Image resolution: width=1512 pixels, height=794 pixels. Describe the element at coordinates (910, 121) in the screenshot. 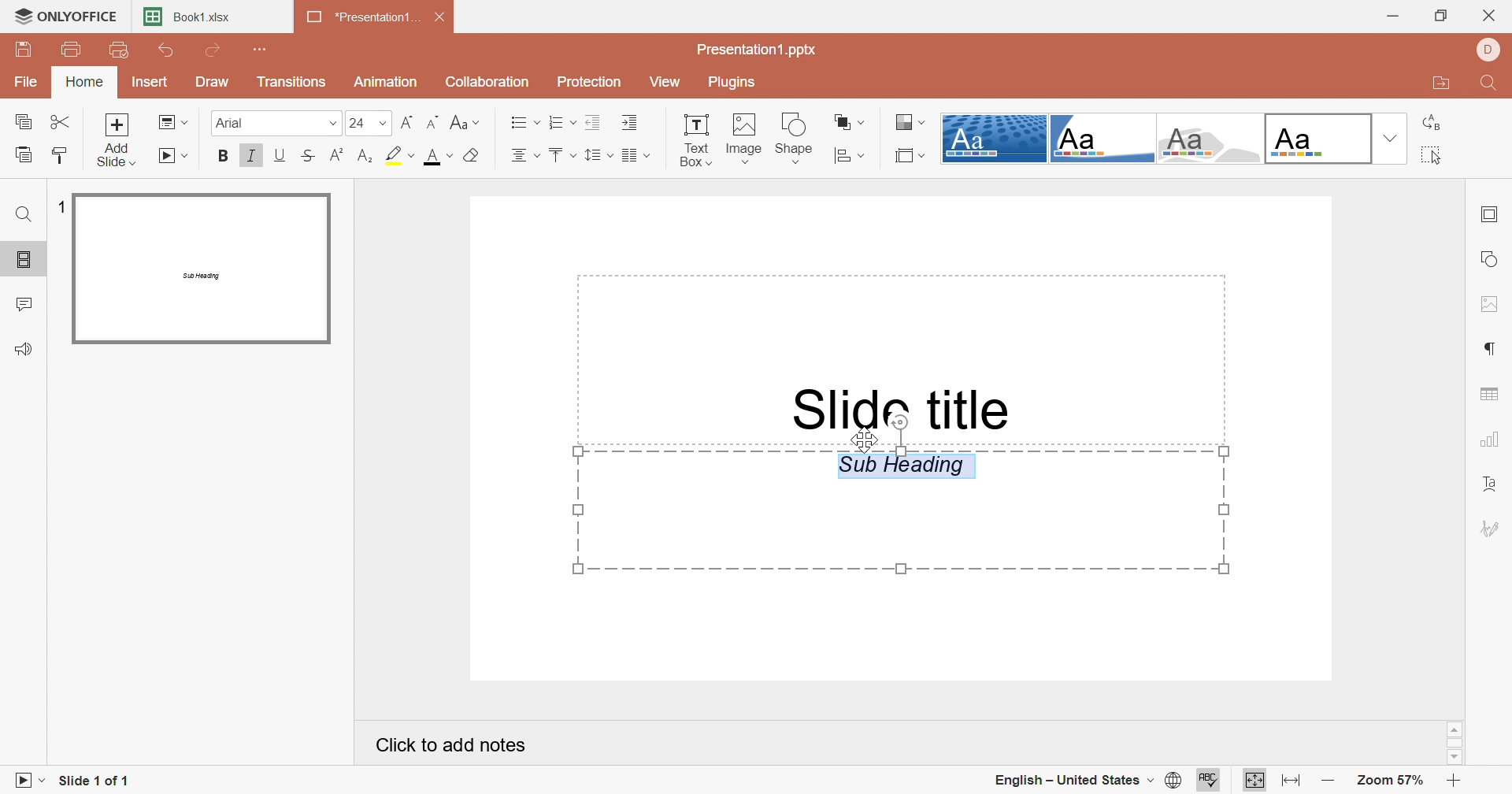

I see `Change color theme` at that location.